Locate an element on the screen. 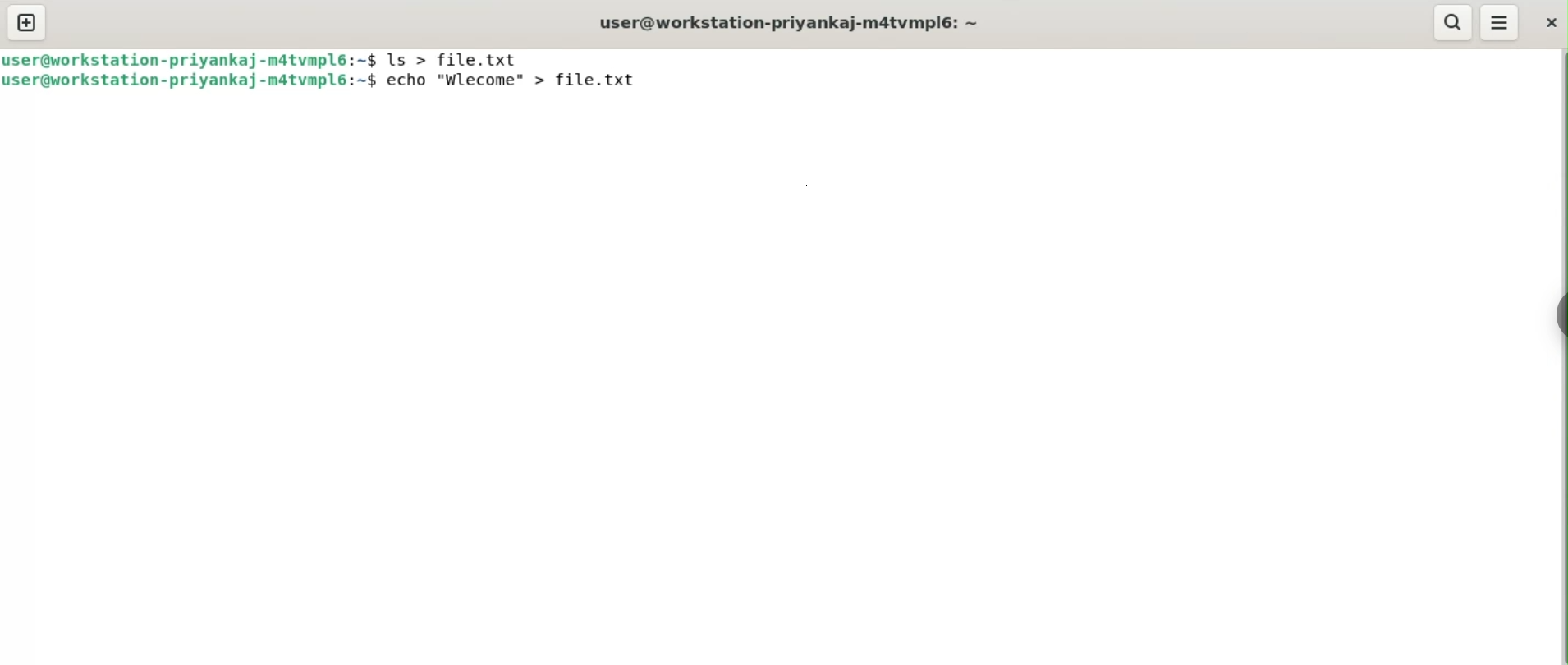 The image size is (1568, 665). user@workstation-priyankaj-m4tvmpl6: ~$ is located at coordinates (190, 59).